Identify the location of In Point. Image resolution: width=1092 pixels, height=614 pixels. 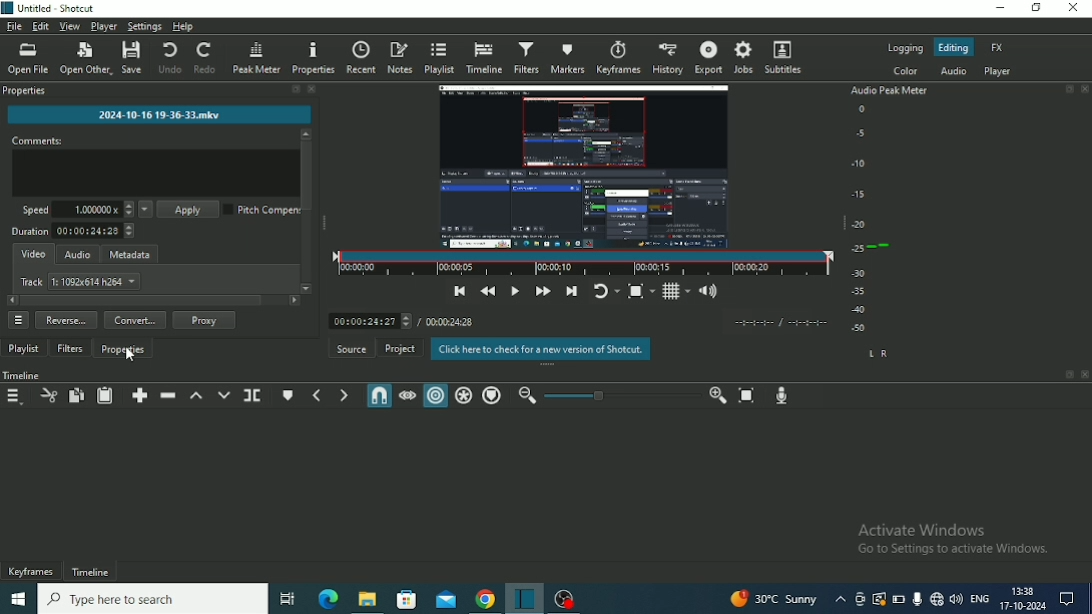
(753, 323).